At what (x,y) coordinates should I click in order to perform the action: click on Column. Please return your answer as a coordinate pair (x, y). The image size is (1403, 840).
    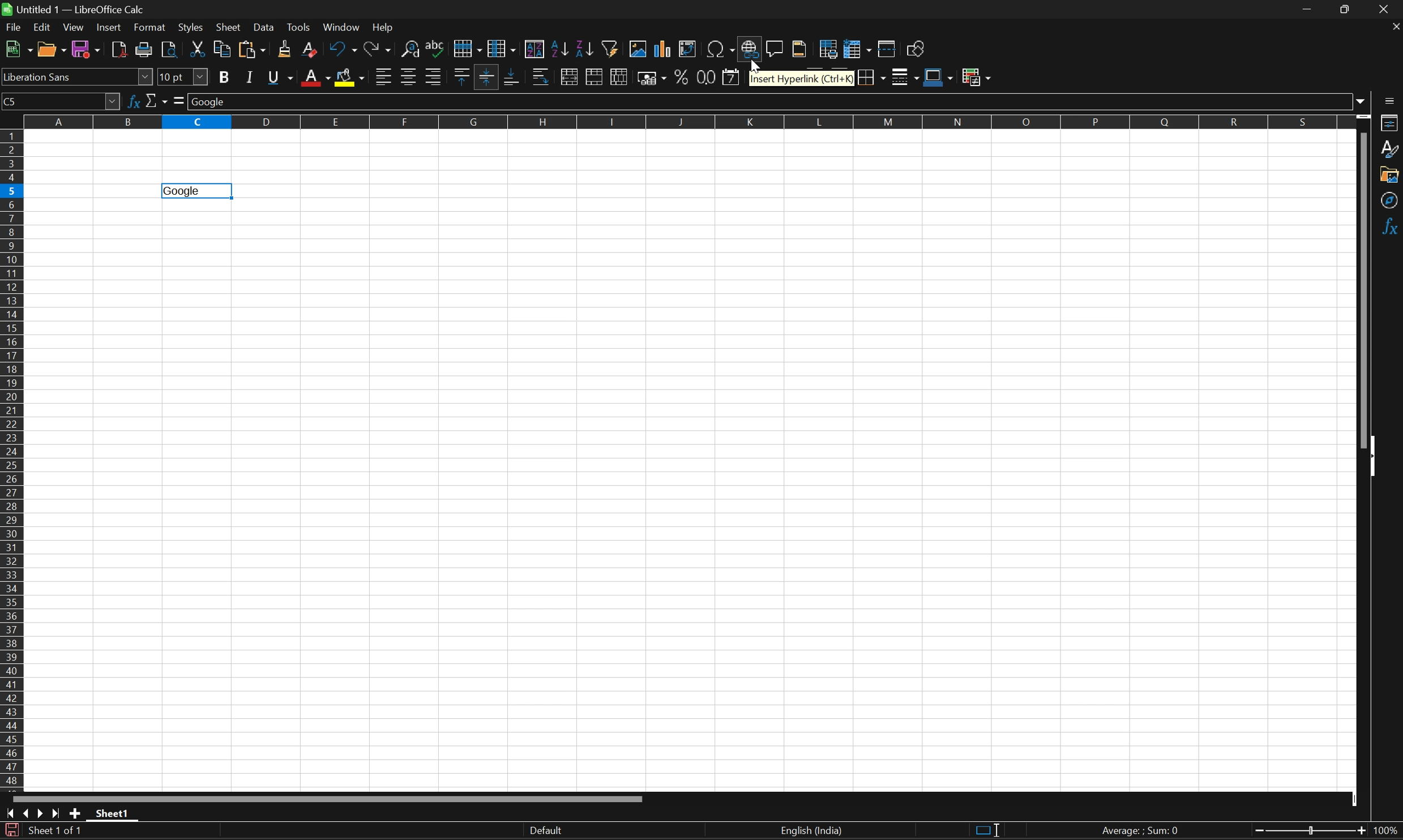
    Looking at the image, I should click on (503, 46).